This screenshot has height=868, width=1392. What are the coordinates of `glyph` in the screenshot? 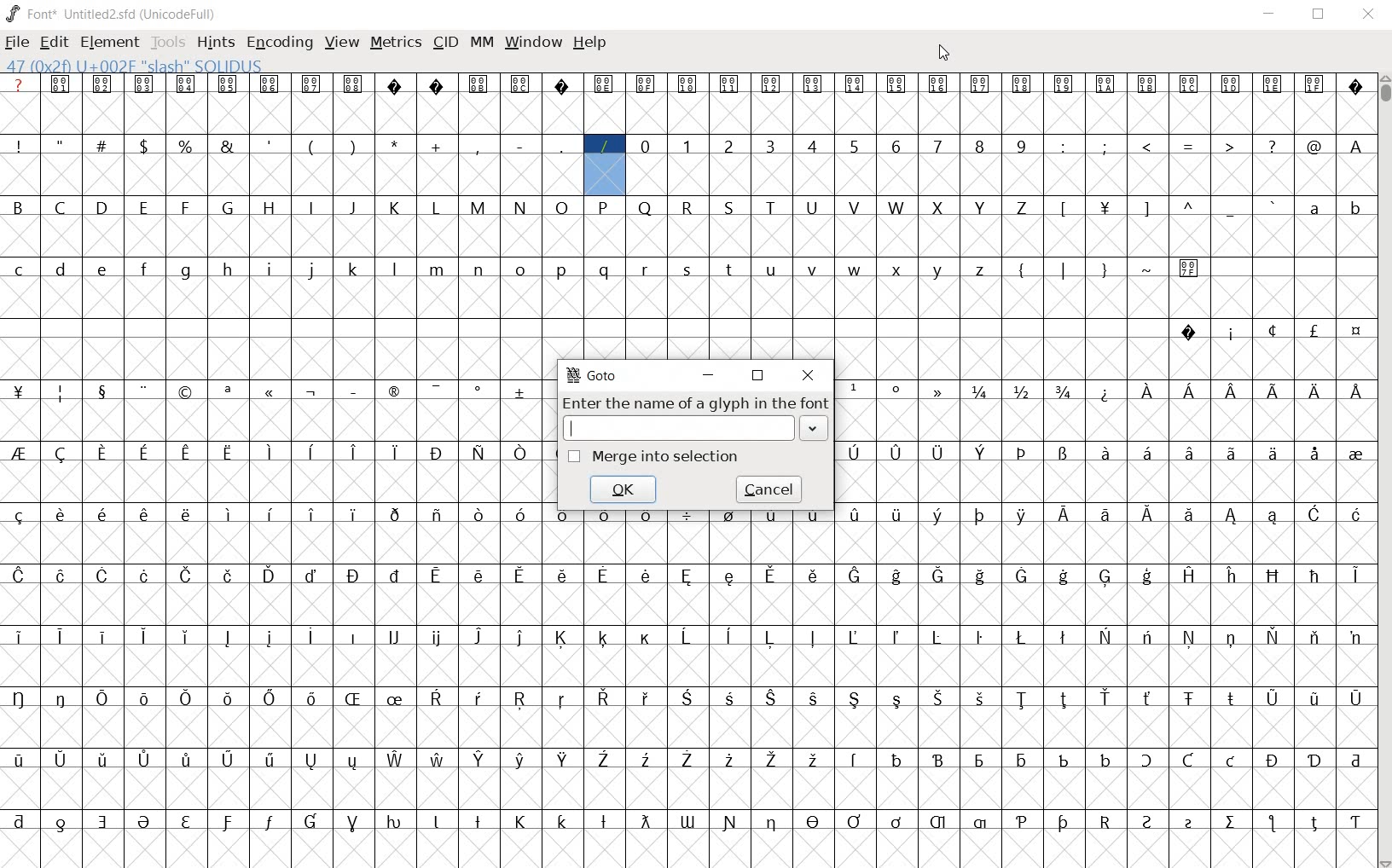 It's located at (19, 146).